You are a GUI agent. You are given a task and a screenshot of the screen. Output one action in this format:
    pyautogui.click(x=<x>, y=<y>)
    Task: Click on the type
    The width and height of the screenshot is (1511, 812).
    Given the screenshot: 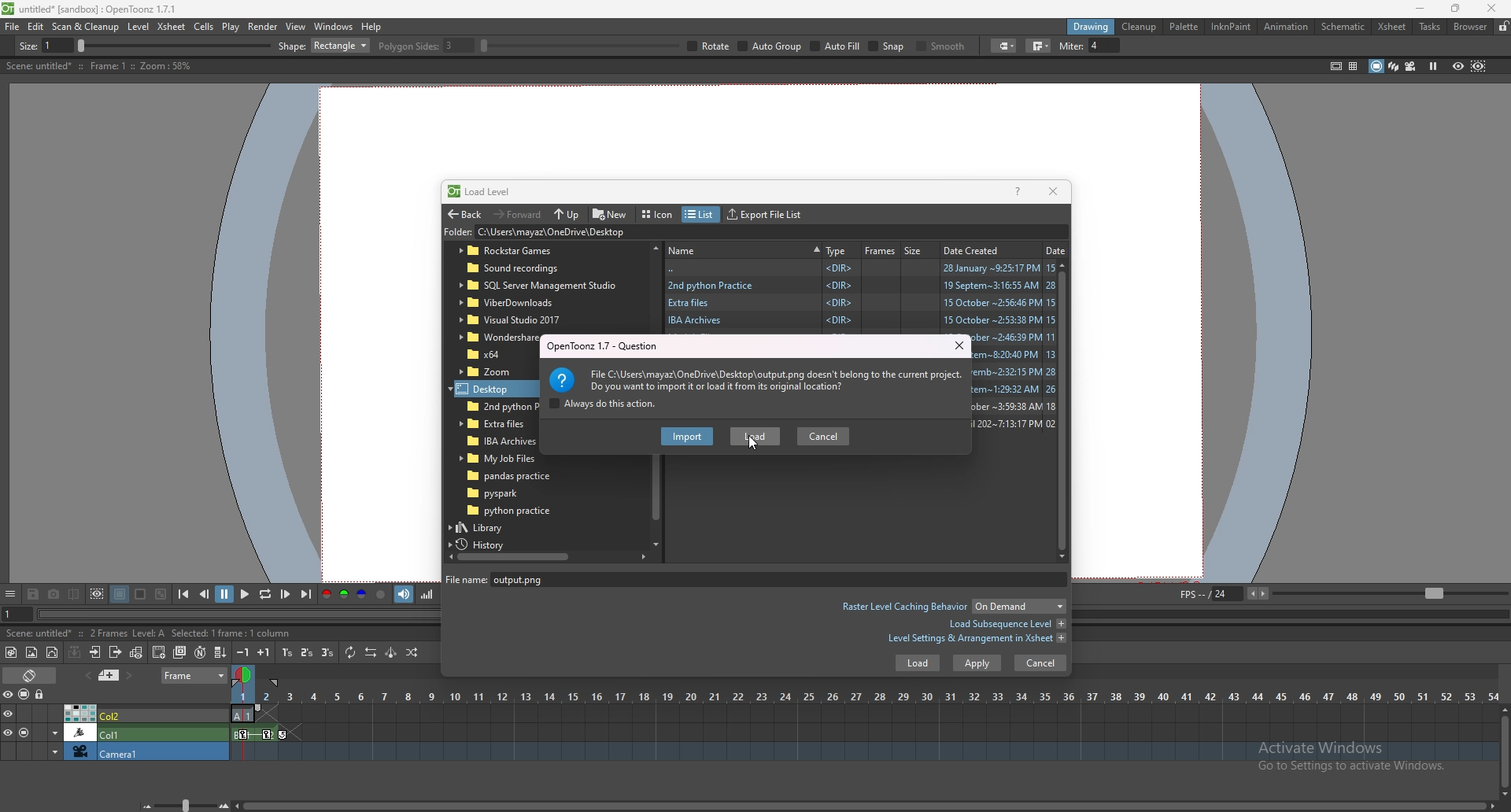 What is the action you would take?
    pyautogui.click(x=837, y=250)
    